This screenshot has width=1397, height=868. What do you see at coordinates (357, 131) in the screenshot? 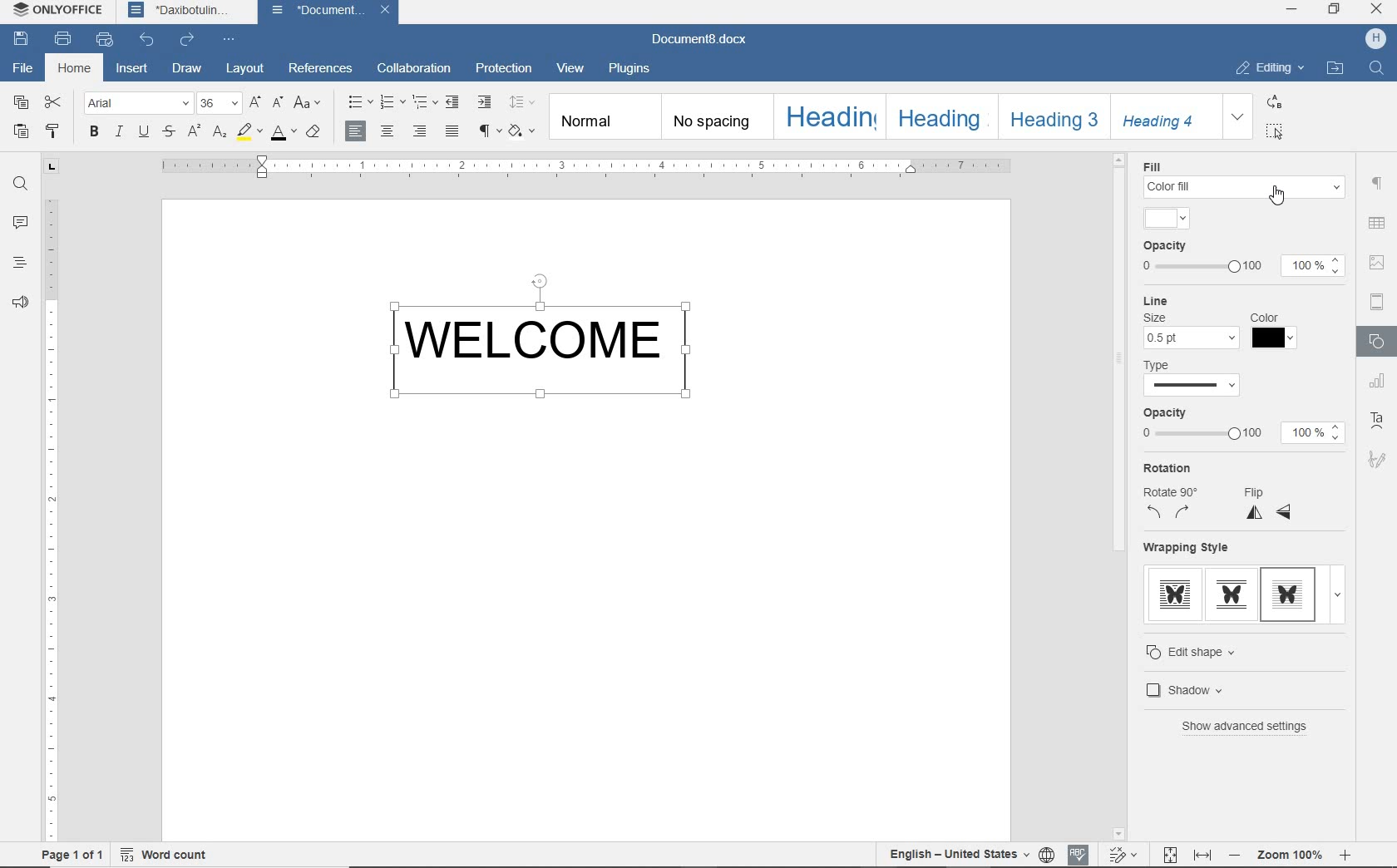
I see `ALIGN LEFT` at bounding box center [357, 131].